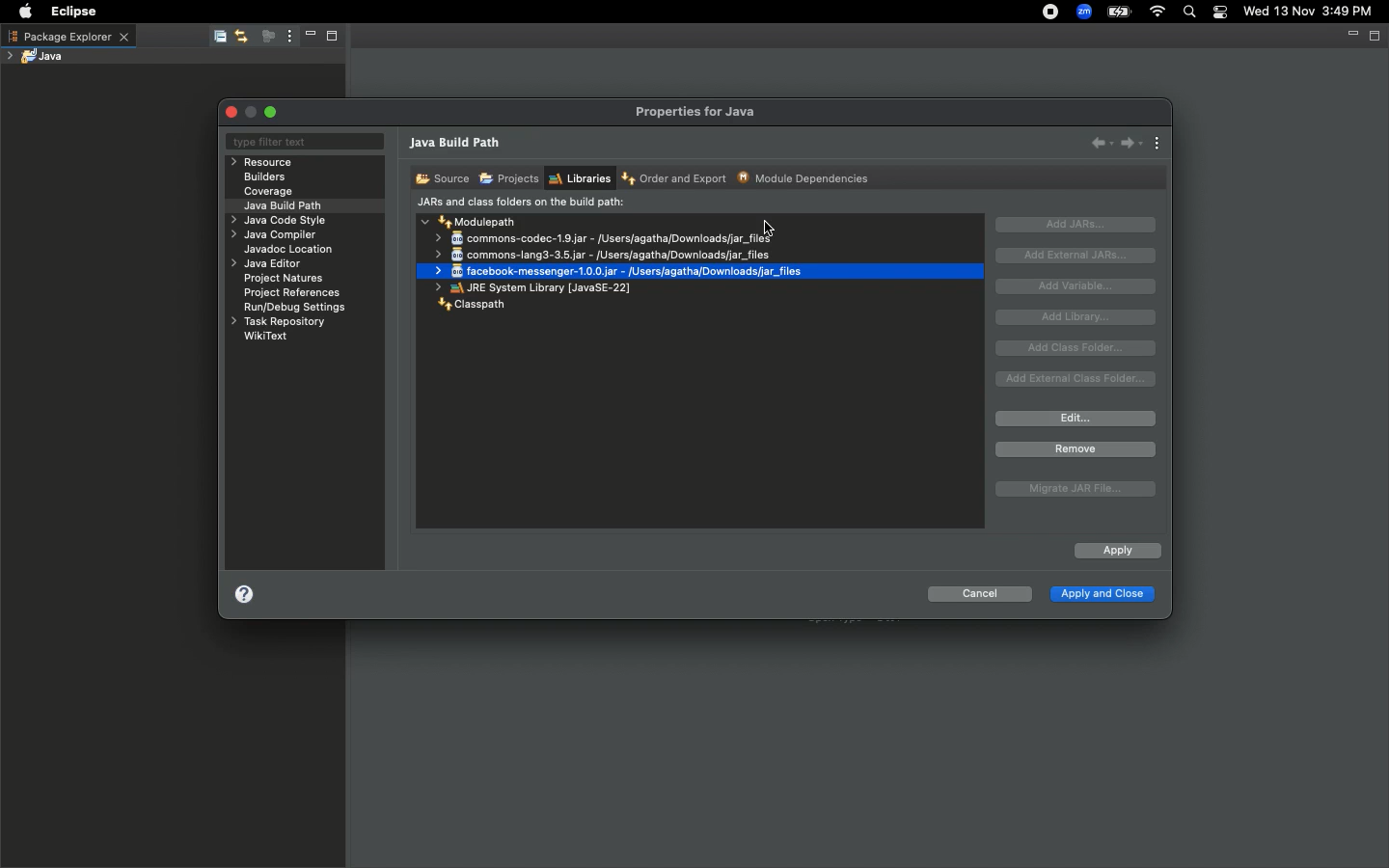 The width and height of the screenshot is (1389, 868). What do you see at coordinates (471, 221) in the screenshot?
I see `Modulepath` at bounding box center [471, 221].